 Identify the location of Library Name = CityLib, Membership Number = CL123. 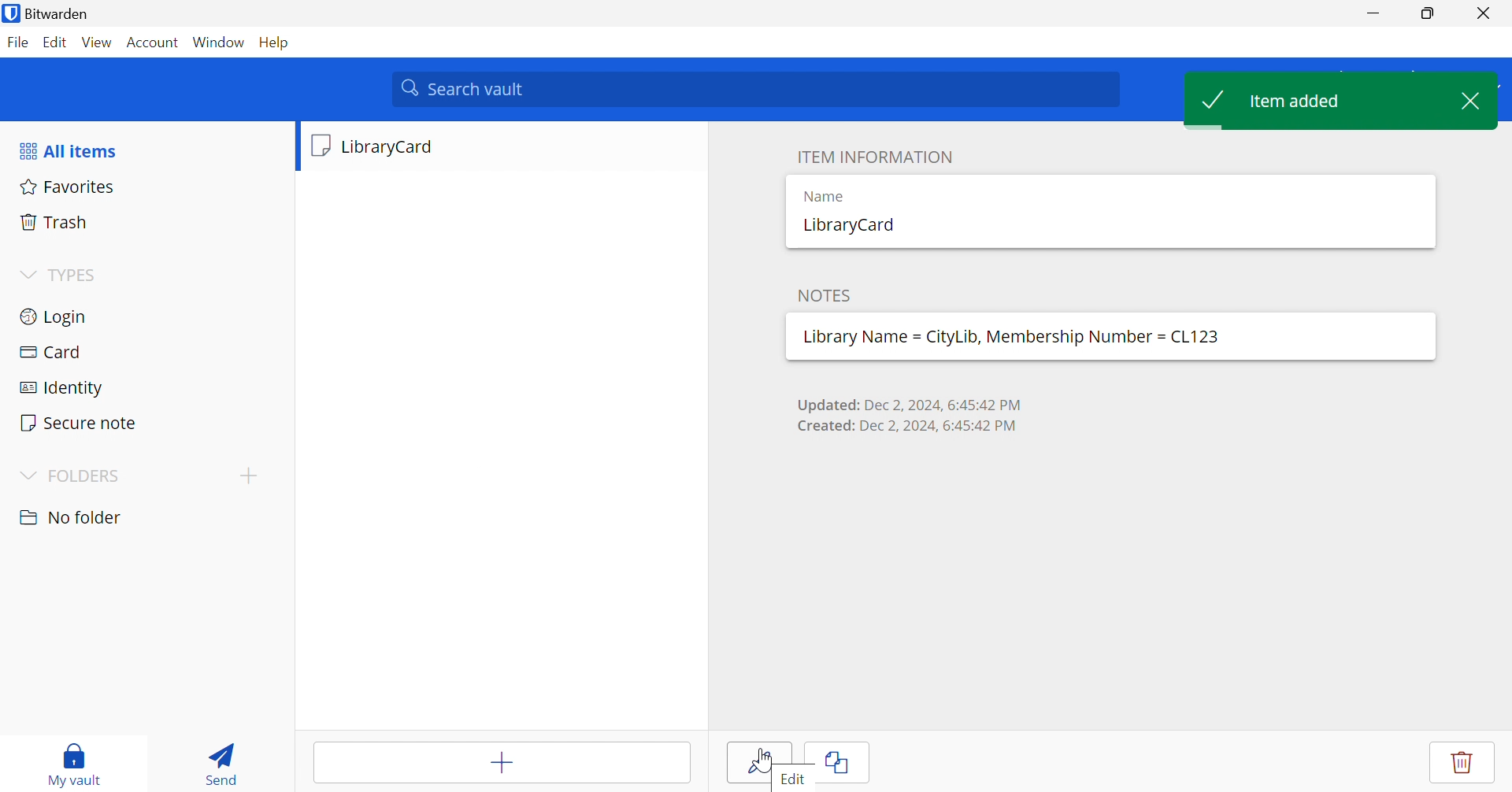
(1014, 339).